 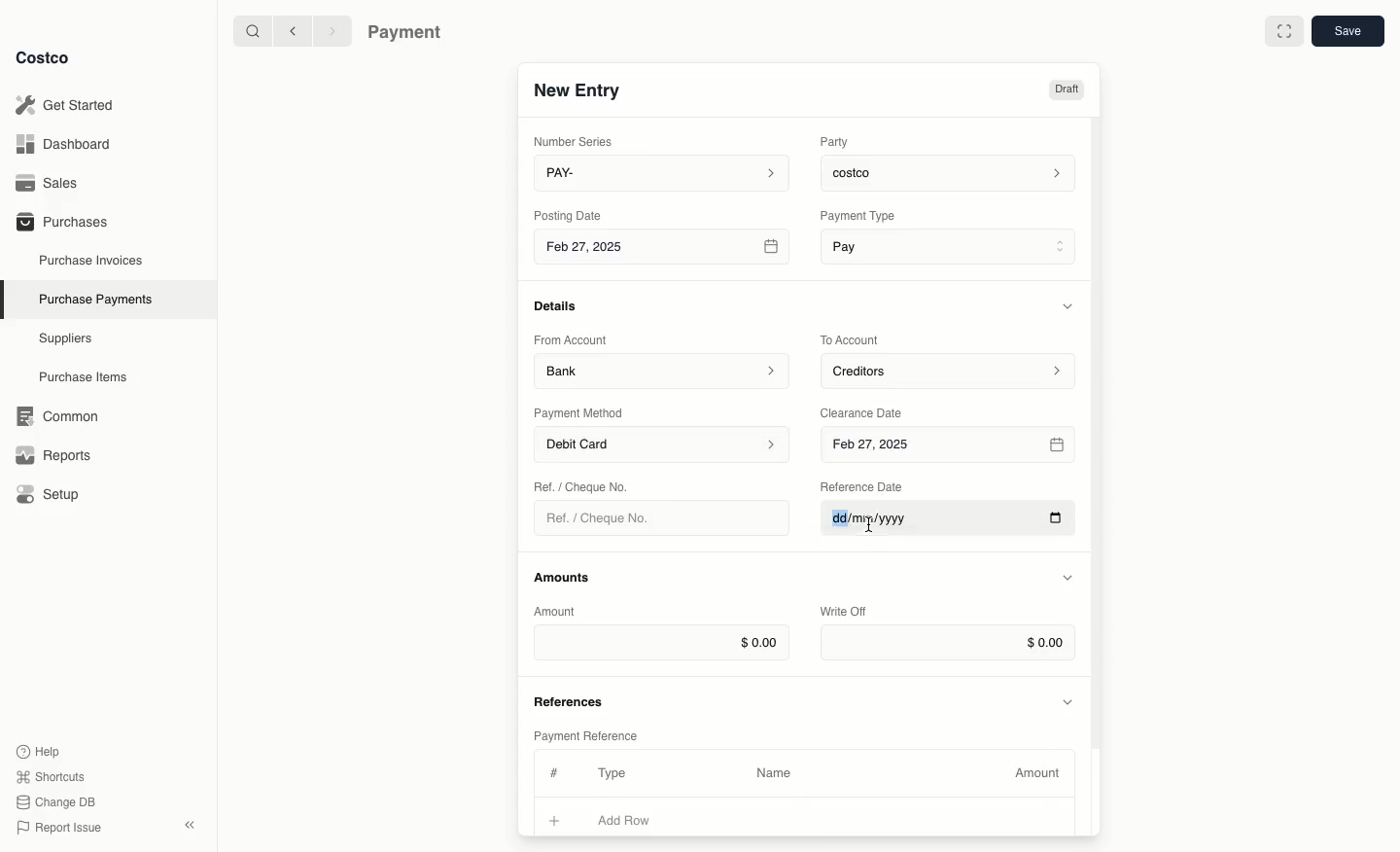 What do you see at coordinates (555, 818) in the screenshot?
I see `Add` at bounding box center [555, 818].